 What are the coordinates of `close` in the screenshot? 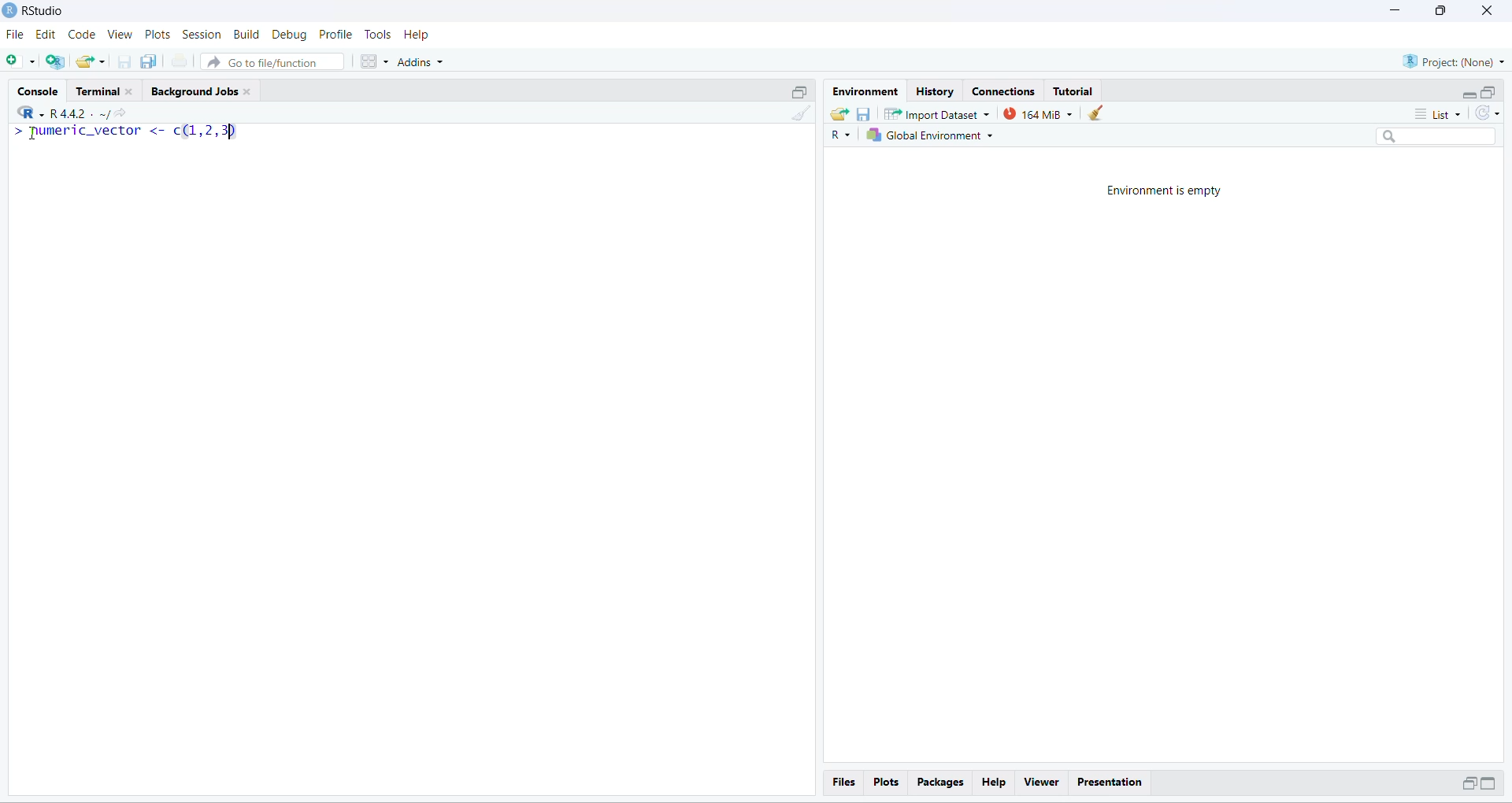 It's located at (1485, 10).